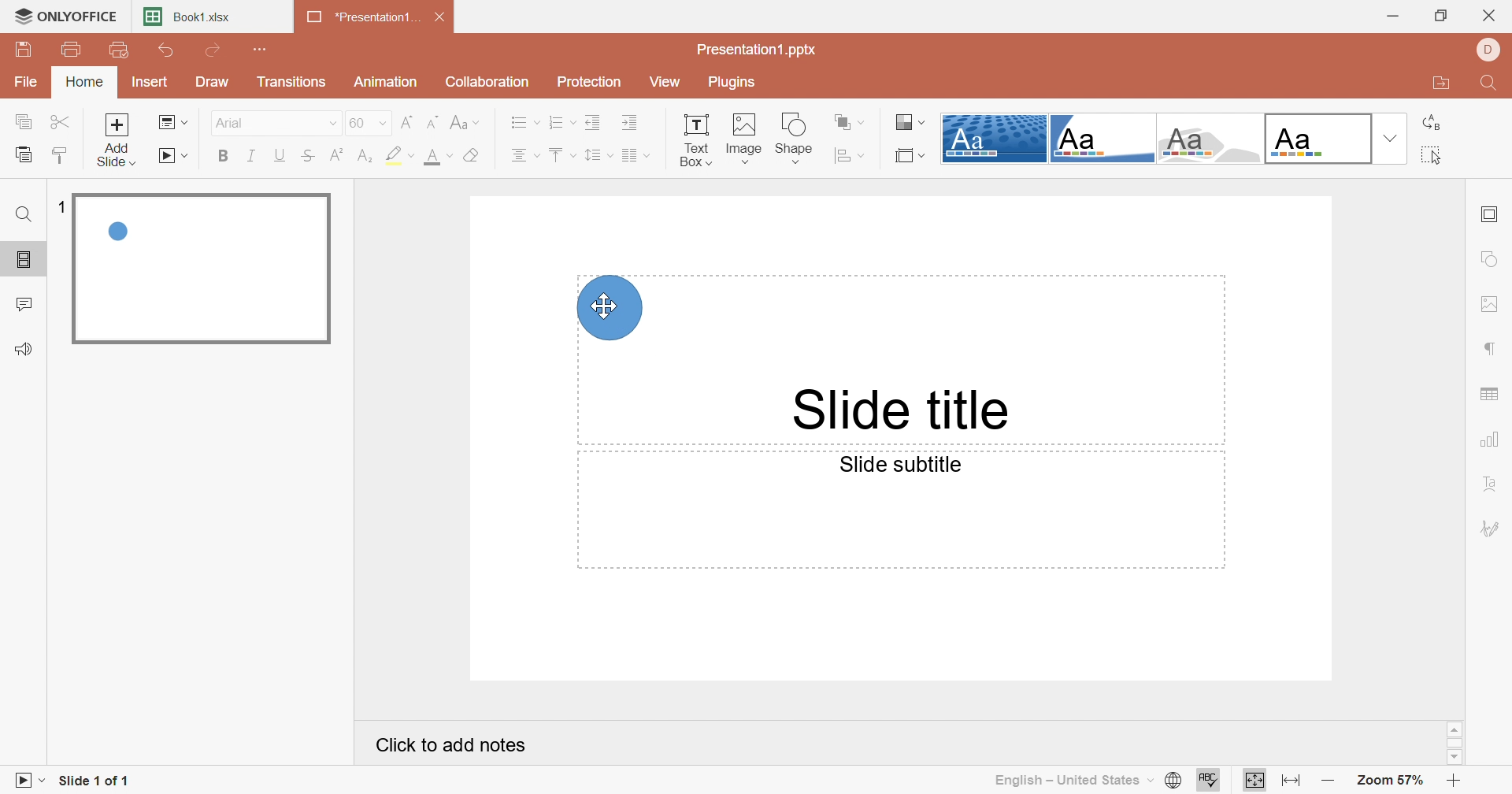 This screenshot has width=1512, height=794. I want to click on View, so click(672, 83).